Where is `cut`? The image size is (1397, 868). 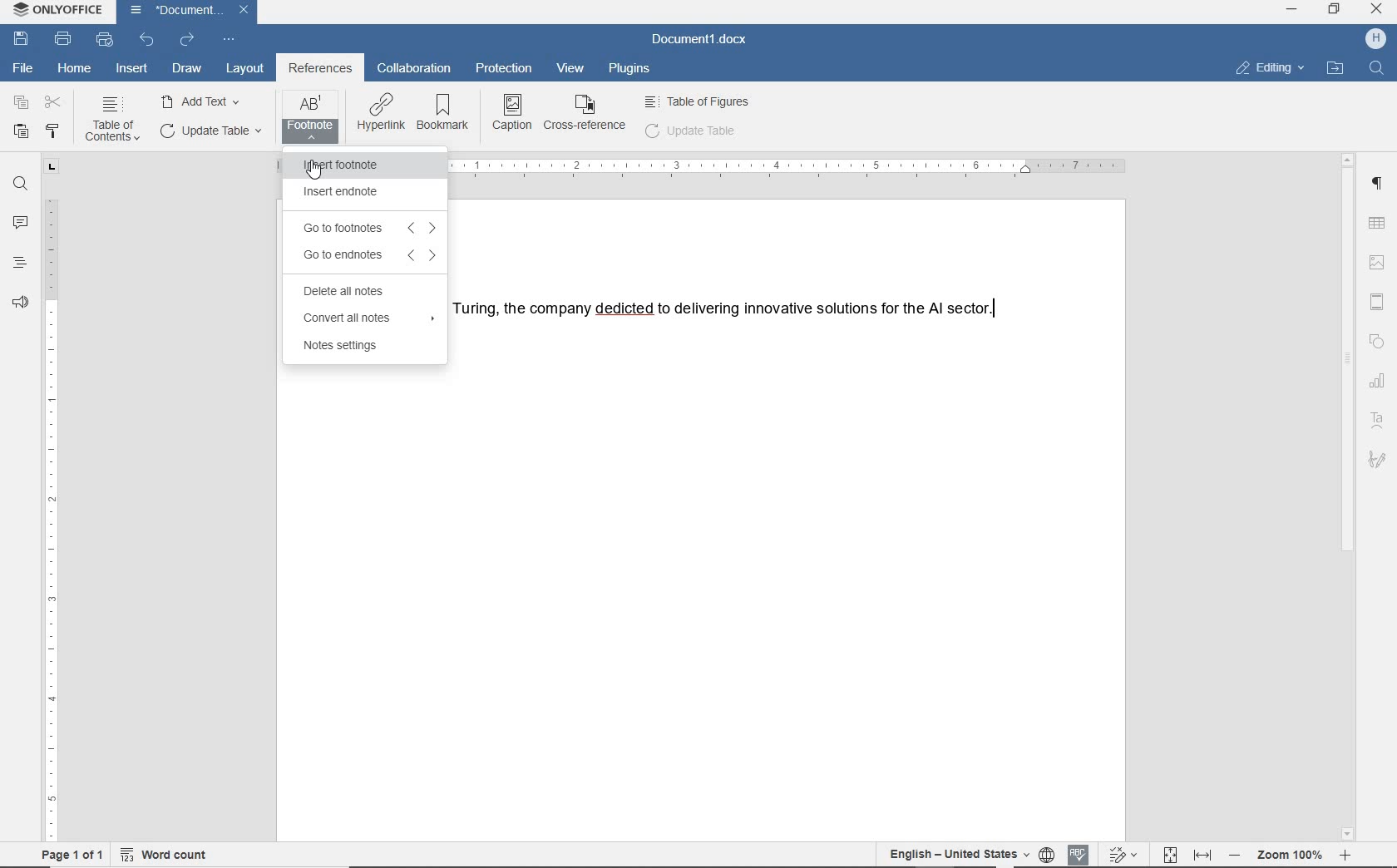
cut is located at coordinates (53, 102).